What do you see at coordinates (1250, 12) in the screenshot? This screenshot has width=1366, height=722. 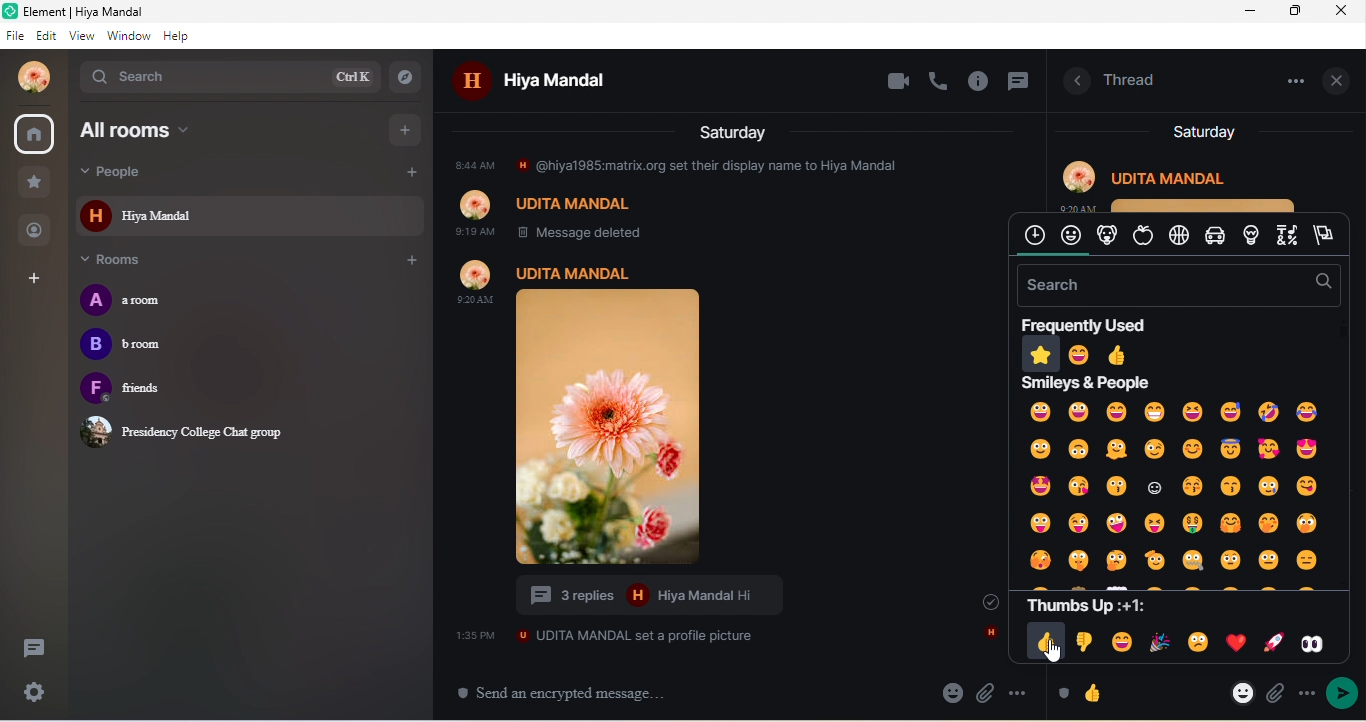 I see `minimize` at bounding box center [1250, 12].